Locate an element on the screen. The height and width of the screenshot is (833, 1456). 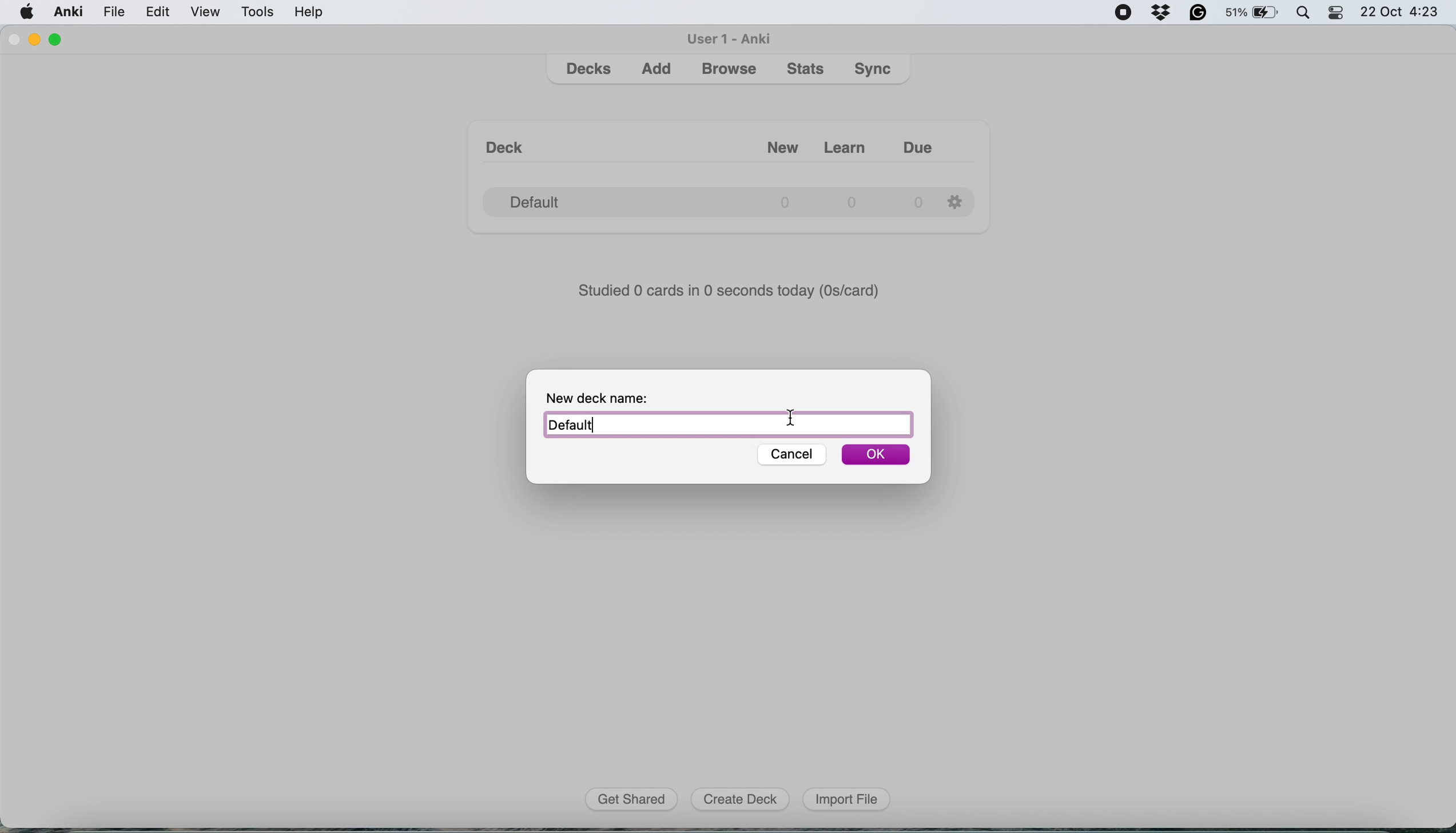
spotlight search is located at coordinates (1304, 15).